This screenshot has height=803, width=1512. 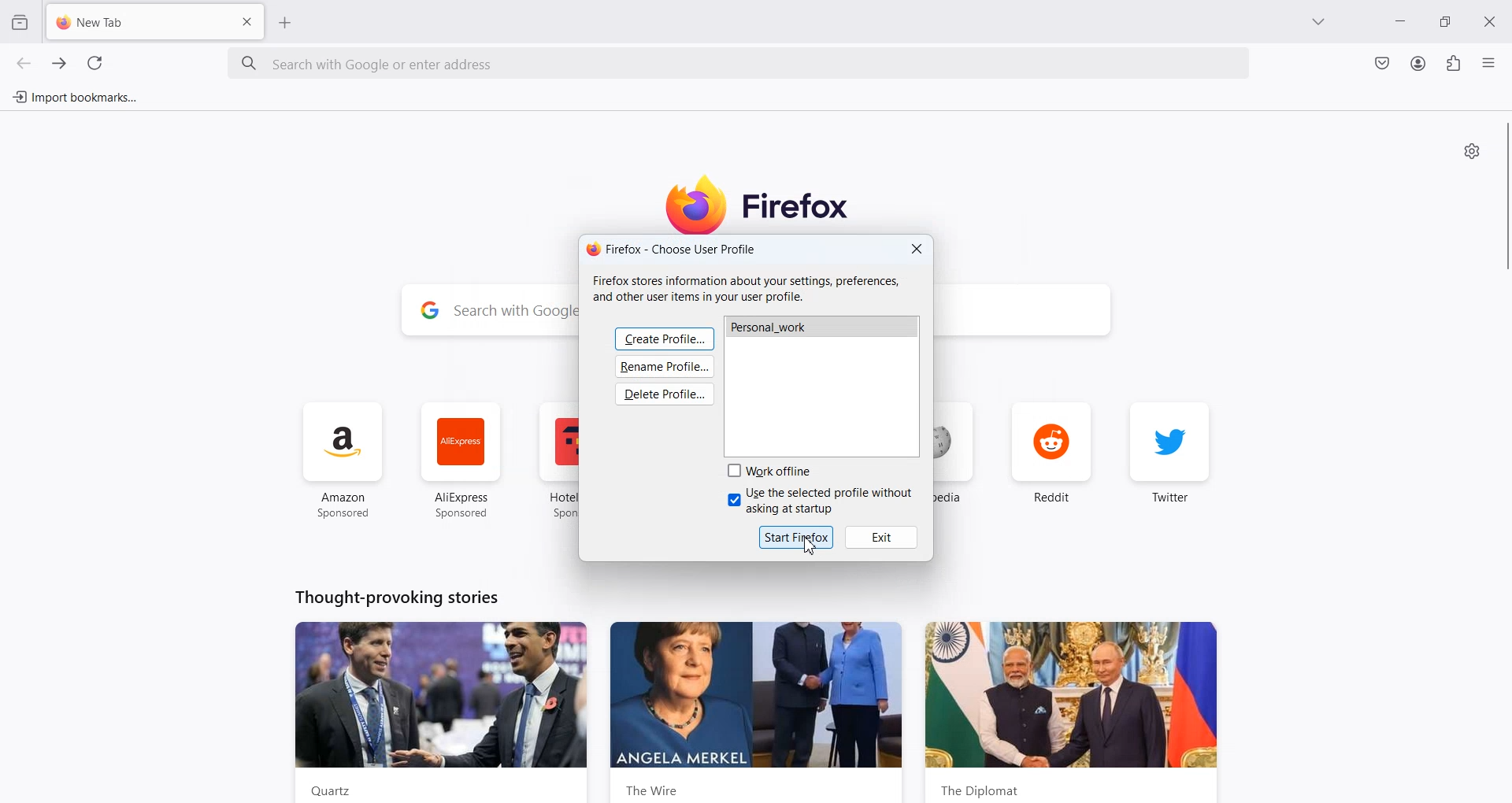 What do you see at coordinates (1453, 64) in the screenshot?
I see `Extensions` at bounding box center [1453, 64].